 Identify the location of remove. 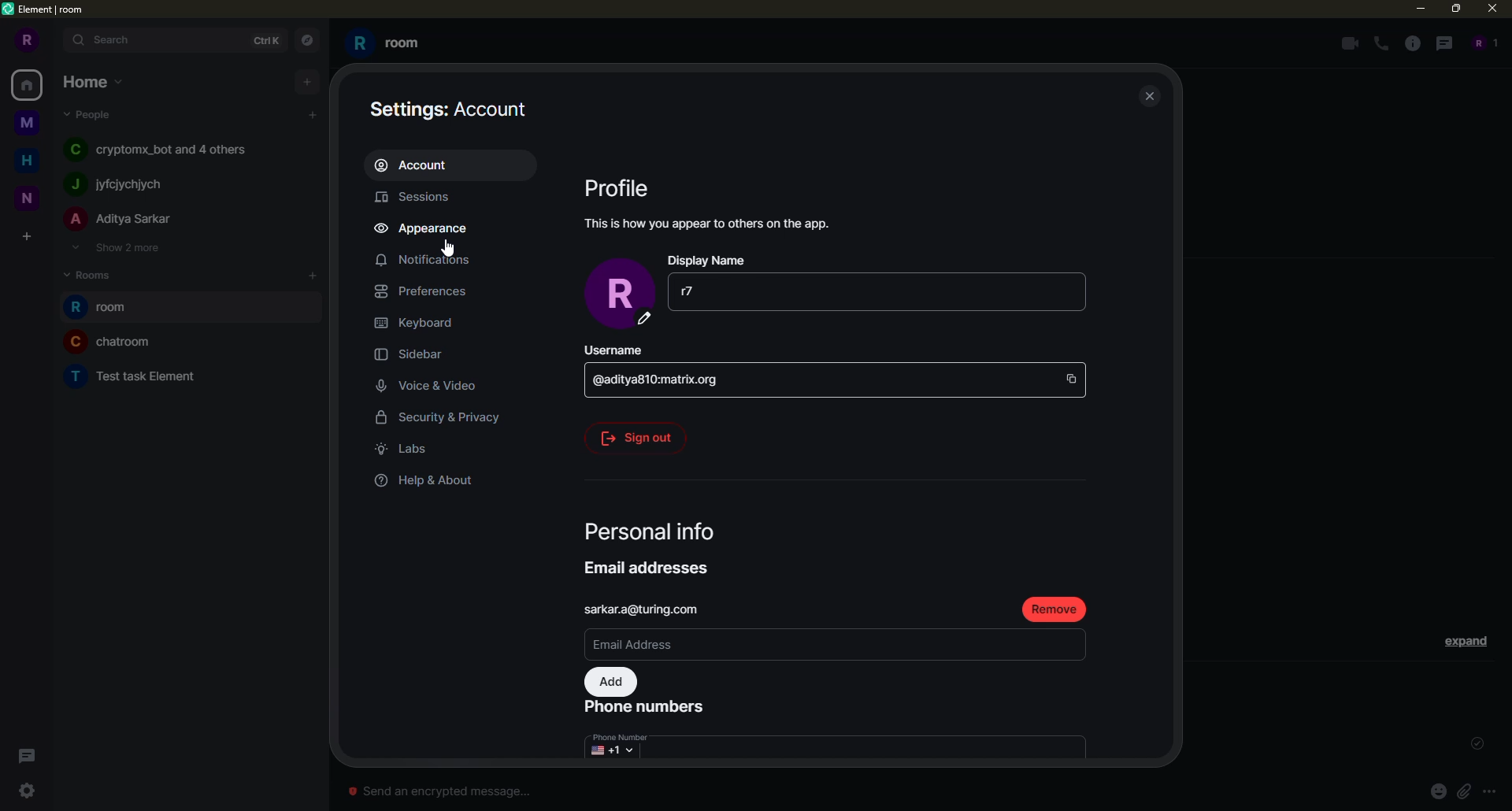
(1052, 609).